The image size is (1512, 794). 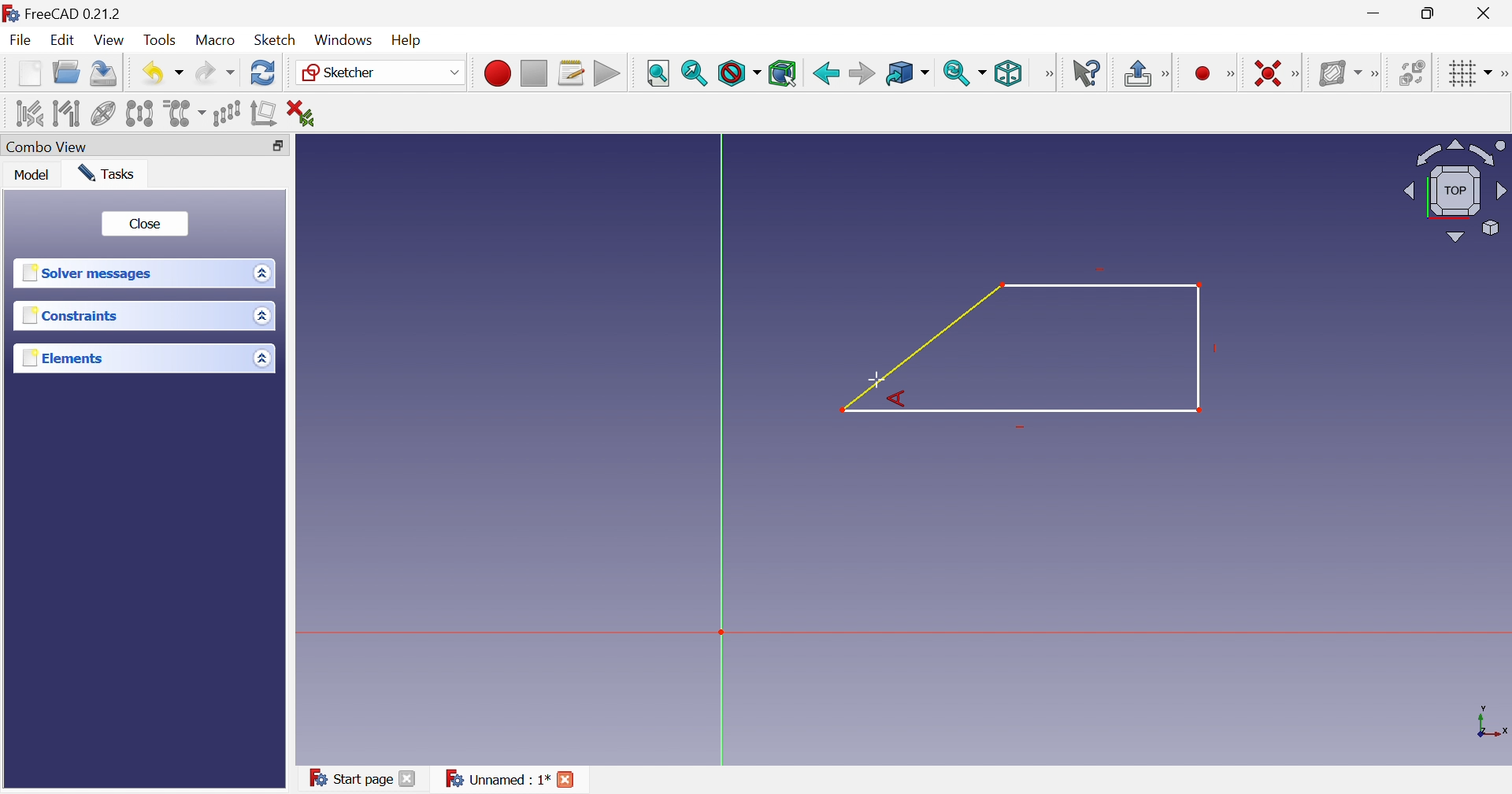 What do you see at coordinates (263, 317) in the screenshot?
I see `Drop Down` at bounding box center [263, 317].